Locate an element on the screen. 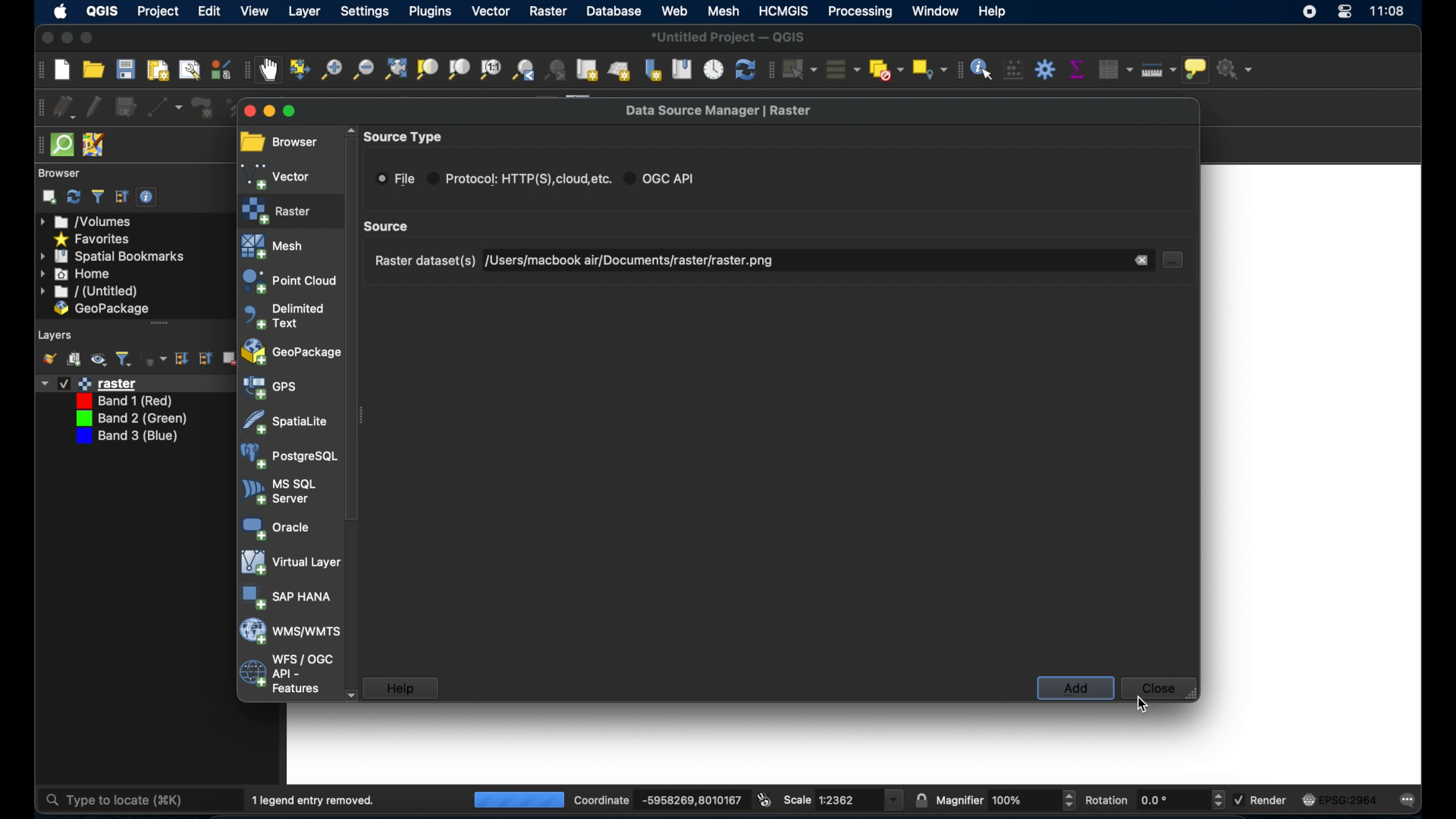 This screenshot has width=1456, height=819.  is located at coordinates (351, 333).